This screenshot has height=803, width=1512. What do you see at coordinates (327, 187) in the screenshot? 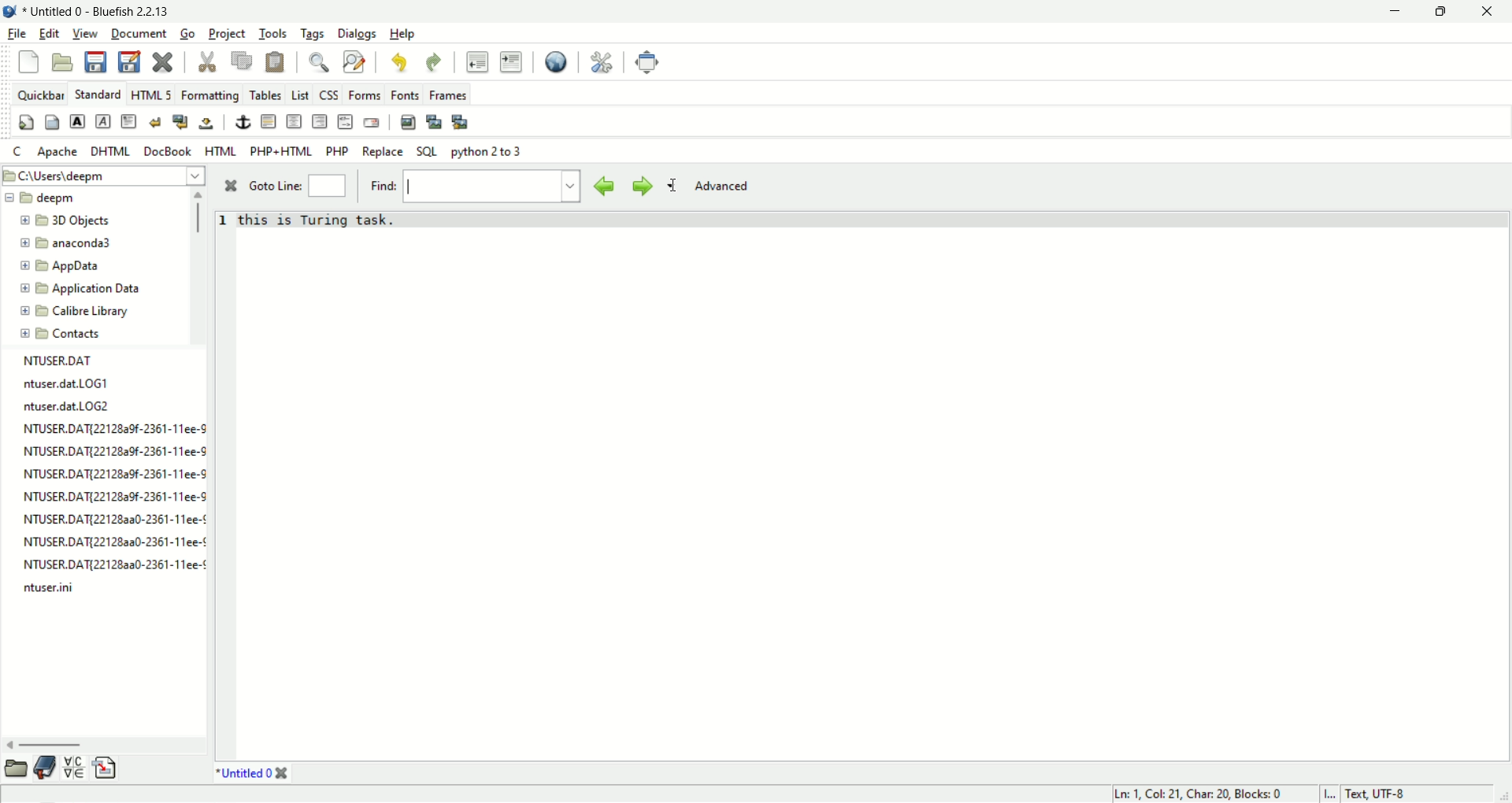
I see `goto line number` at bounding box center [327, 187].